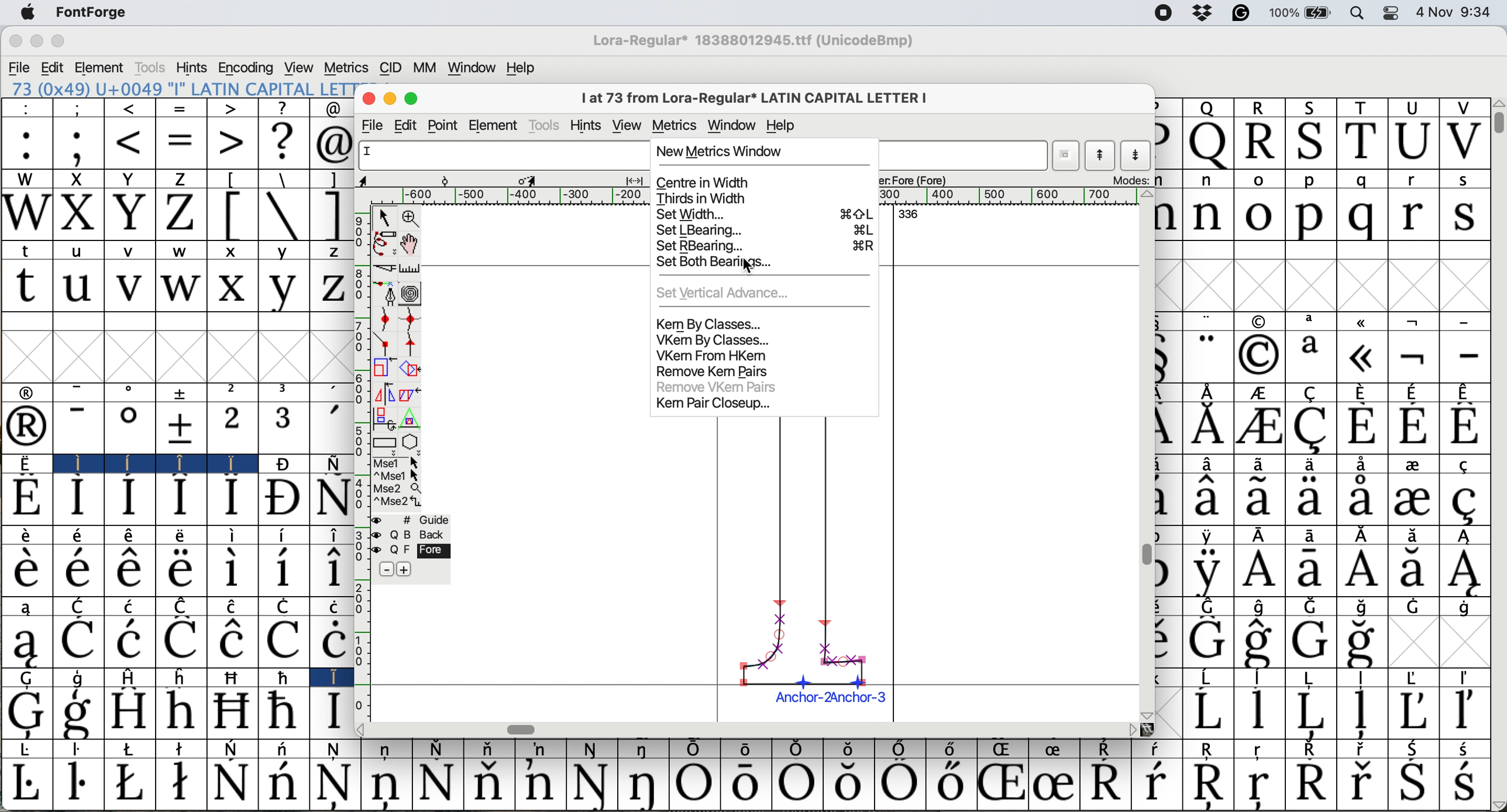 Image resolution: width=1507 pixels, height=812 pixels. What do you see at coordinates (1210, 605) in the screenshot?
I see `Symbol` at bounding box center [1210, 605].